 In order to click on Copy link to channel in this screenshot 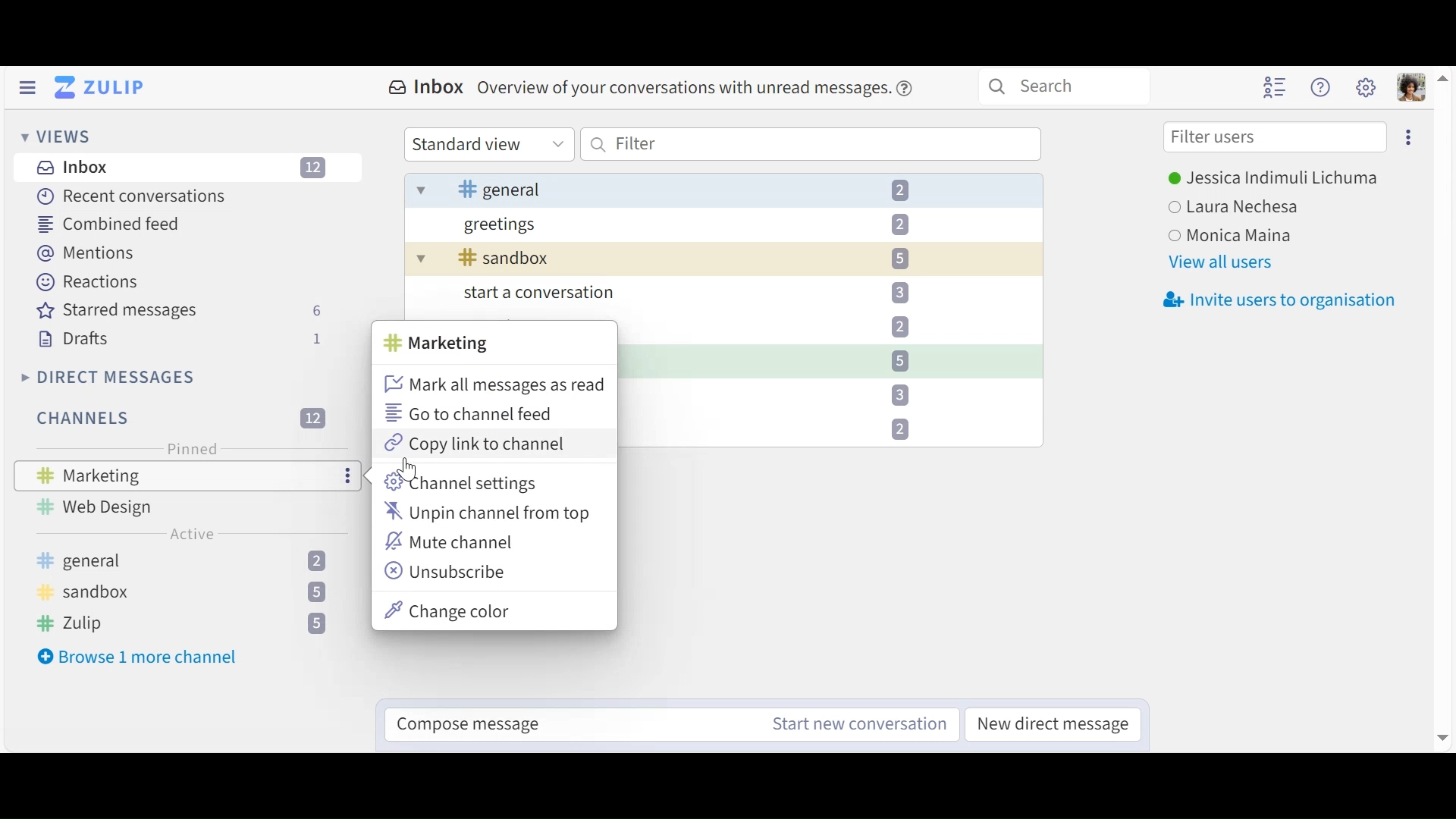, I will do `click(476, 444)`.